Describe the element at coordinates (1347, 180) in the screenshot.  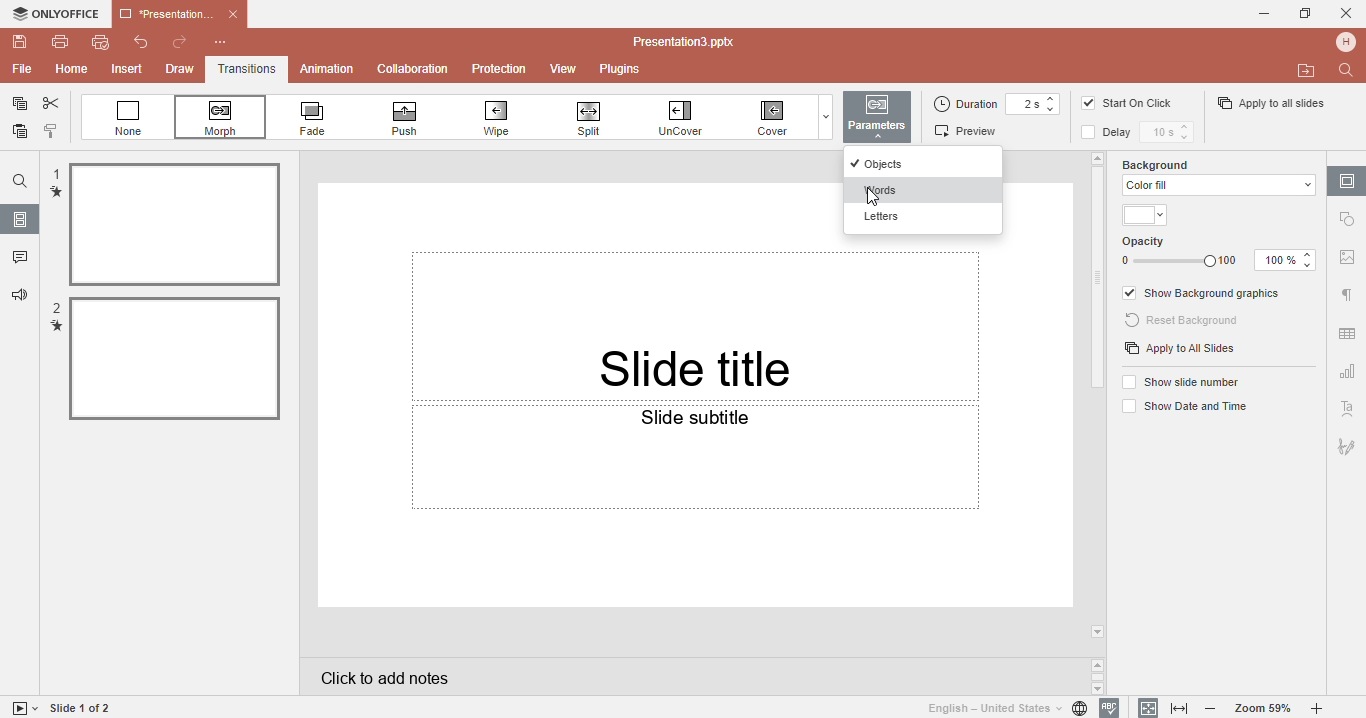
I see `Slide settings` at that location.